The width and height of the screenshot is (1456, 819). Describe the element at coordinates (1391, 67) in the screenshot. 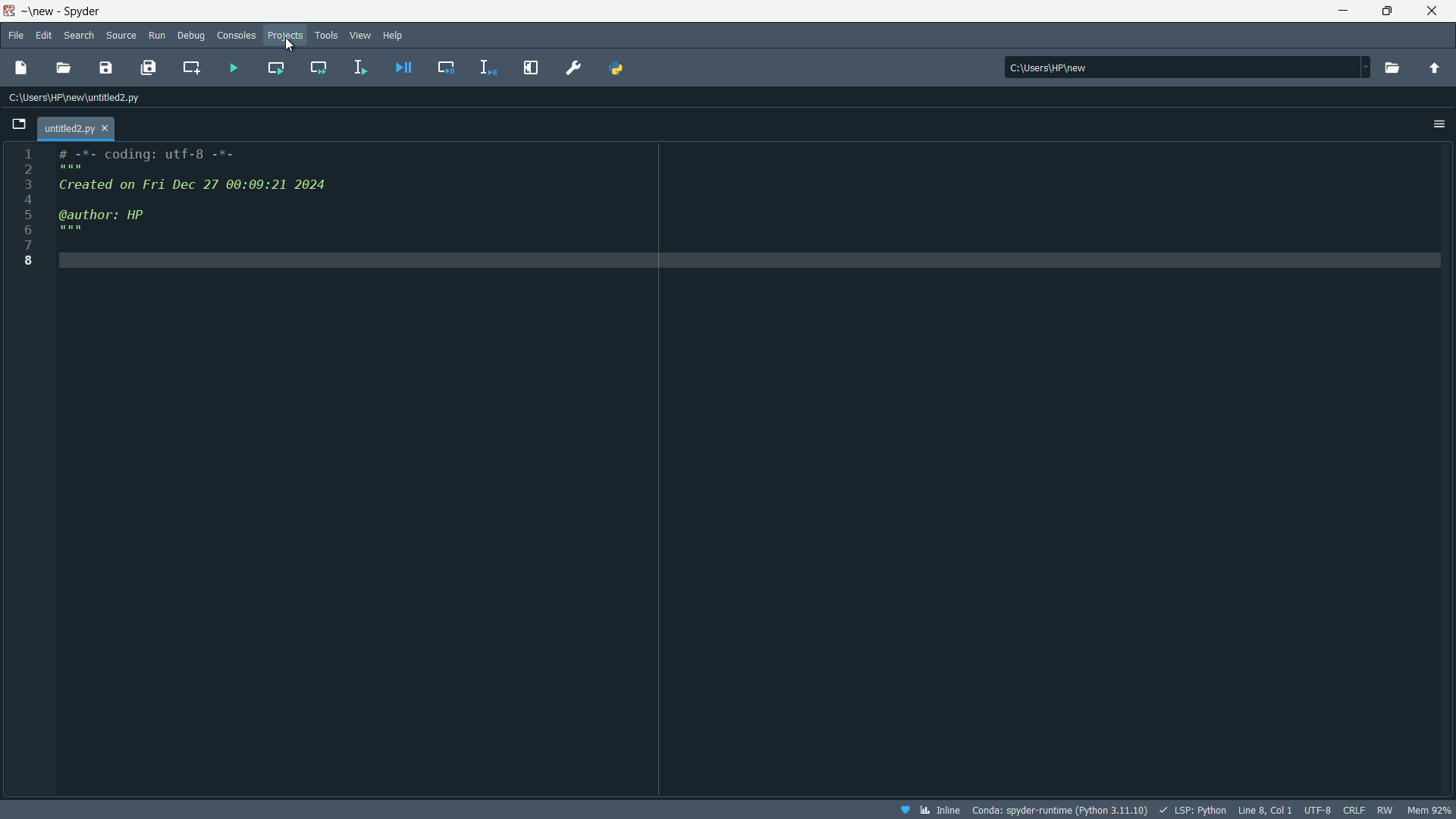

I see `browse directory` at that location.